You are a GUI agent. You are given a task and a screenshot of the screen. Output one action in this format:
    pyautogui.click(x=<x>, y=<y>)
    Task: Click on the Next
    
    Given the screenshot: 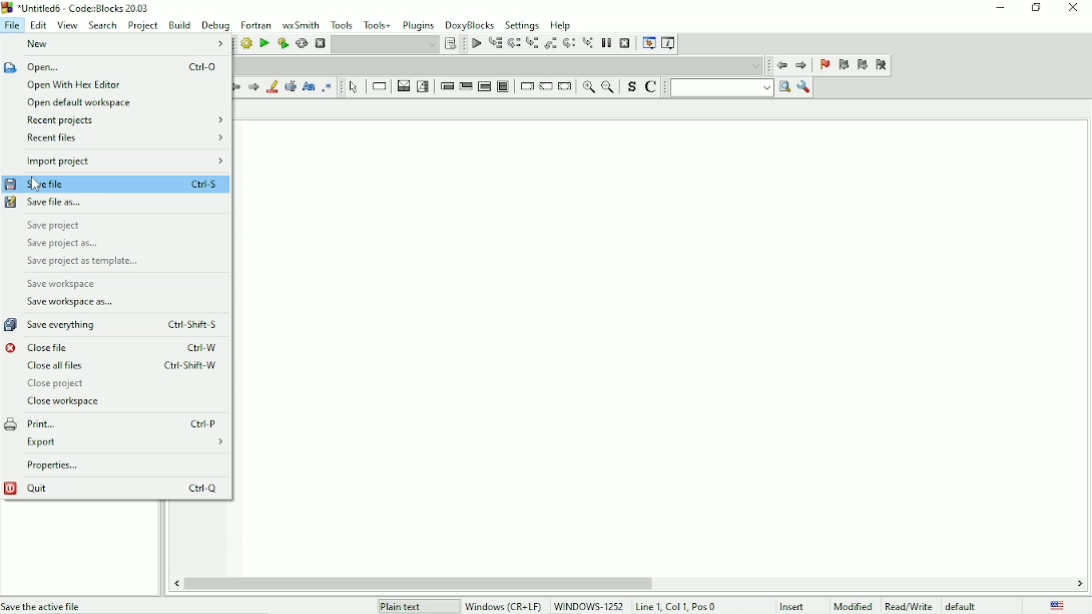 What is the action you would take?
    pyautogui.click(x=254, y=87)
    